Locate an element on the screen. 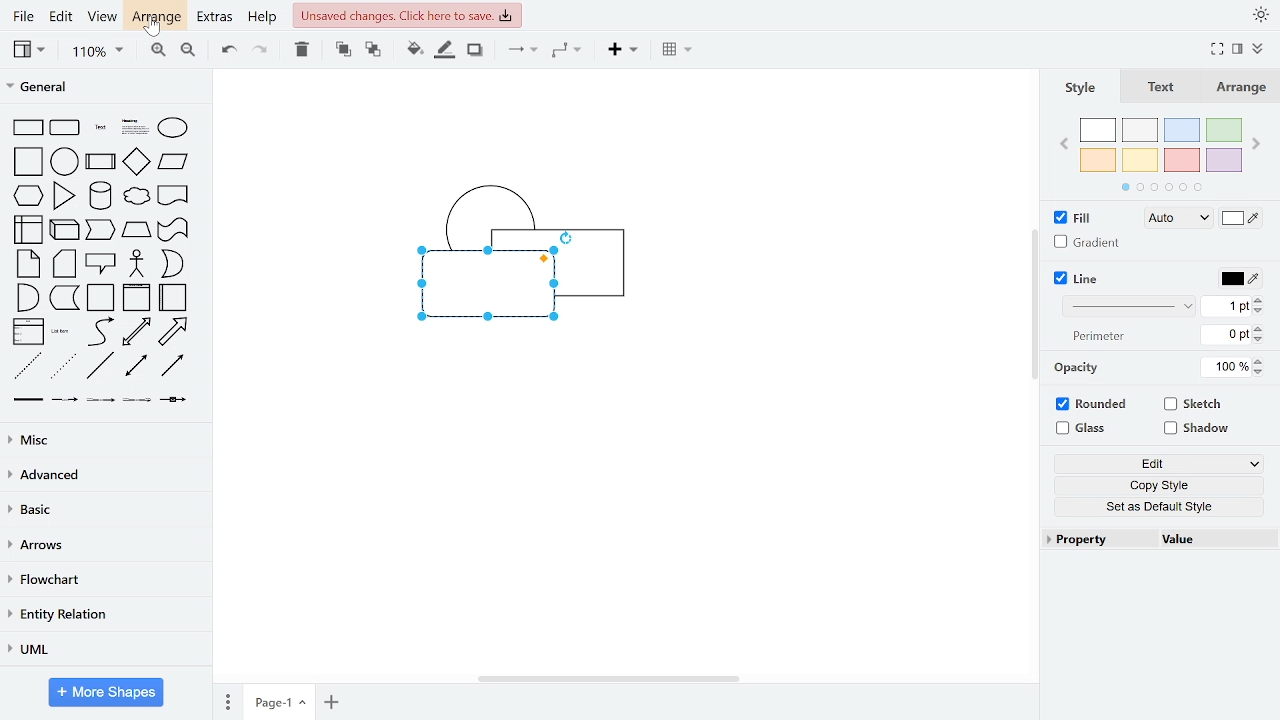  link is located at coordinates (26, 399).